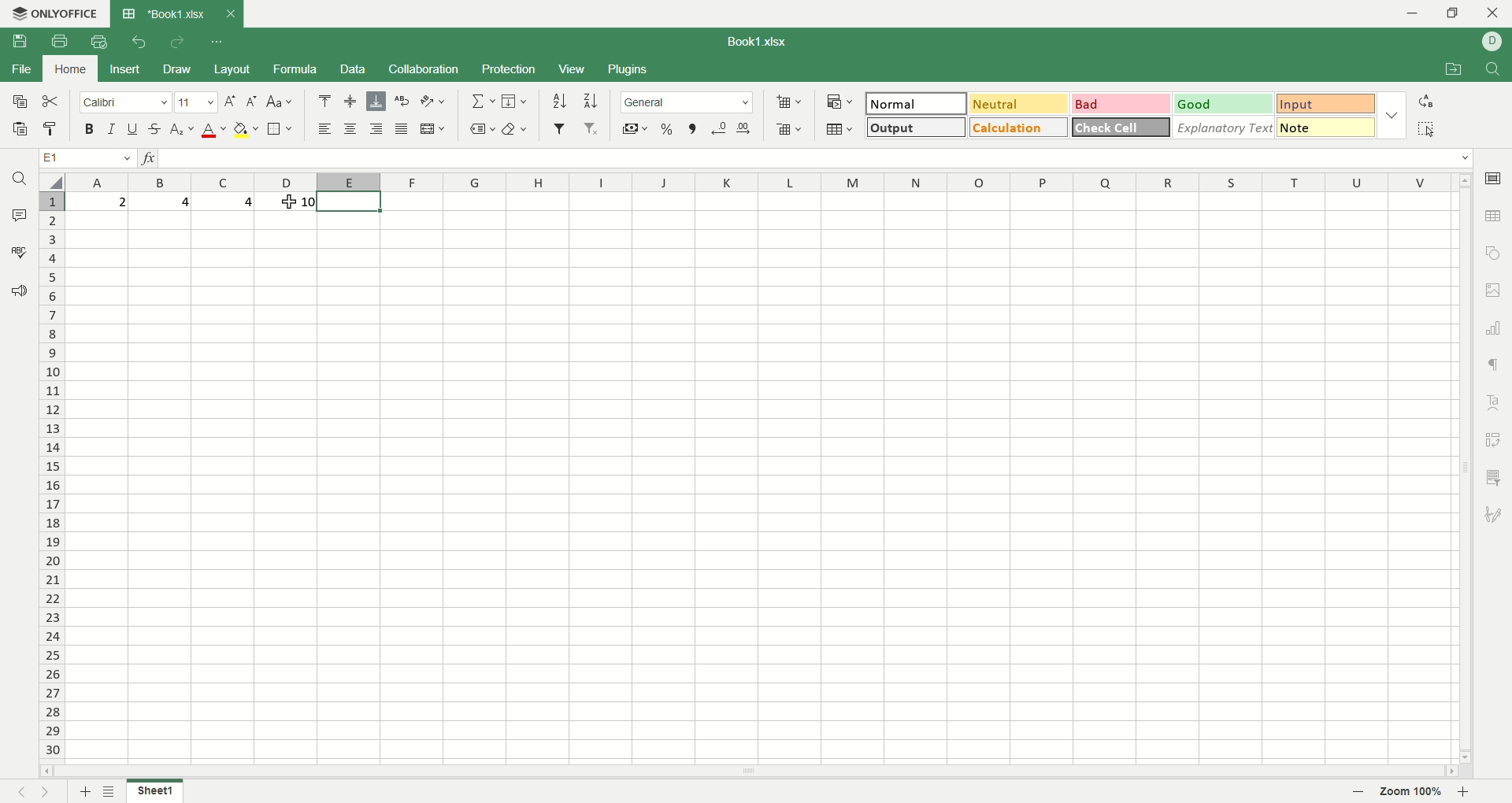 The image size is (1512, 803). Describe the element at coordinates (763, 182) in the screenshot. I see `column` at that location.